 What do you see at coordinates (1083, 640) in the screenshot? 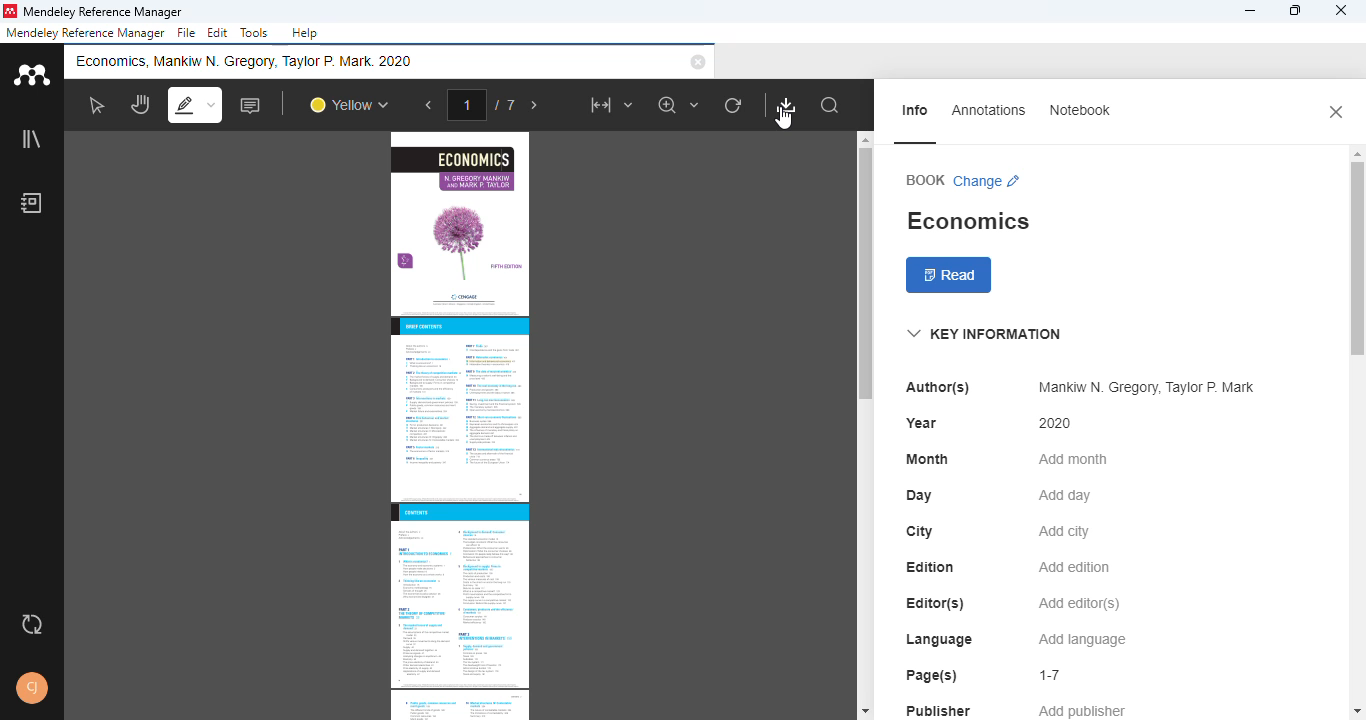
I see `add language` at bounding box center [1083, 640].